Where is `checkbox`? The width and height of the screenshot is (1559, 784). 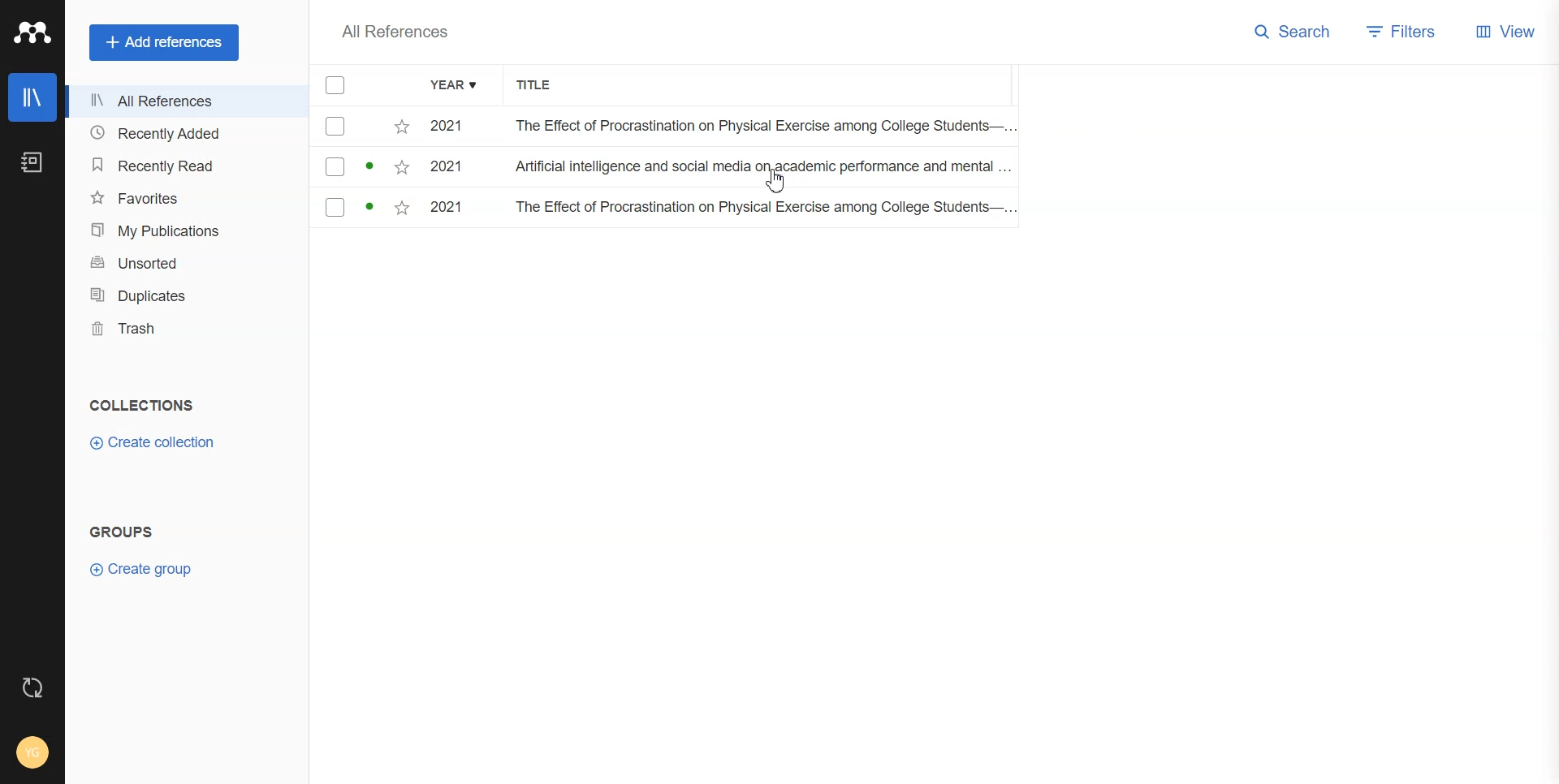 checkbox is located at coordinates (363, 127).